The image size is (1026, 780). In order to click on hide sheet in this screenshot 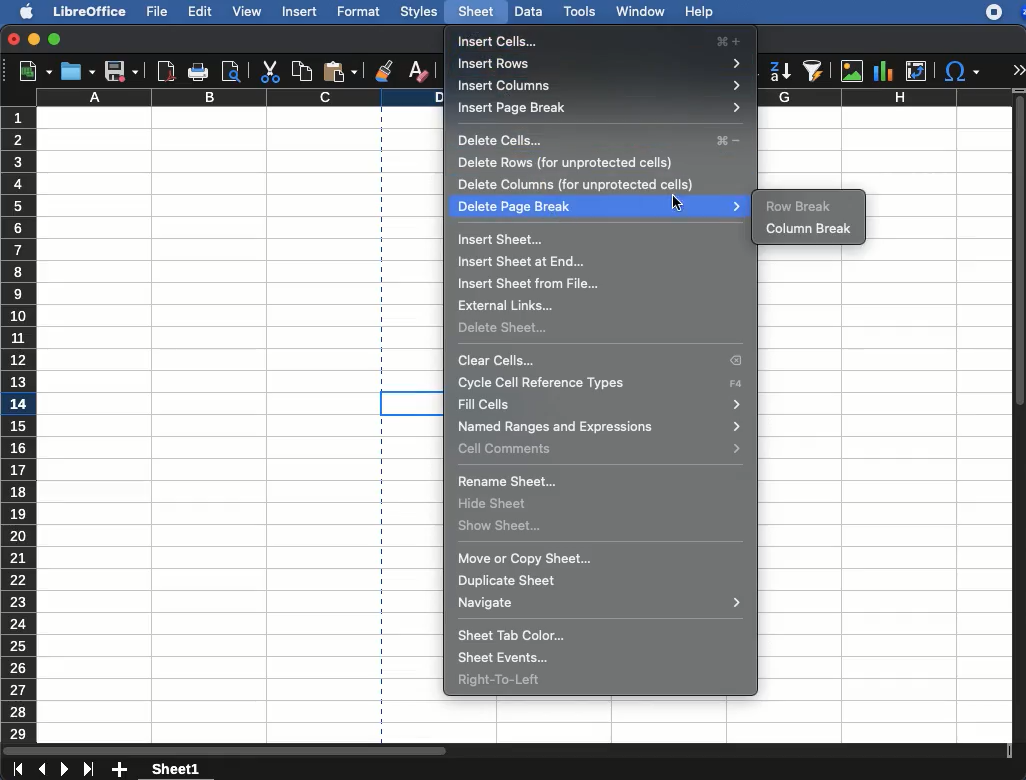, I will do `click(496, 504)`.